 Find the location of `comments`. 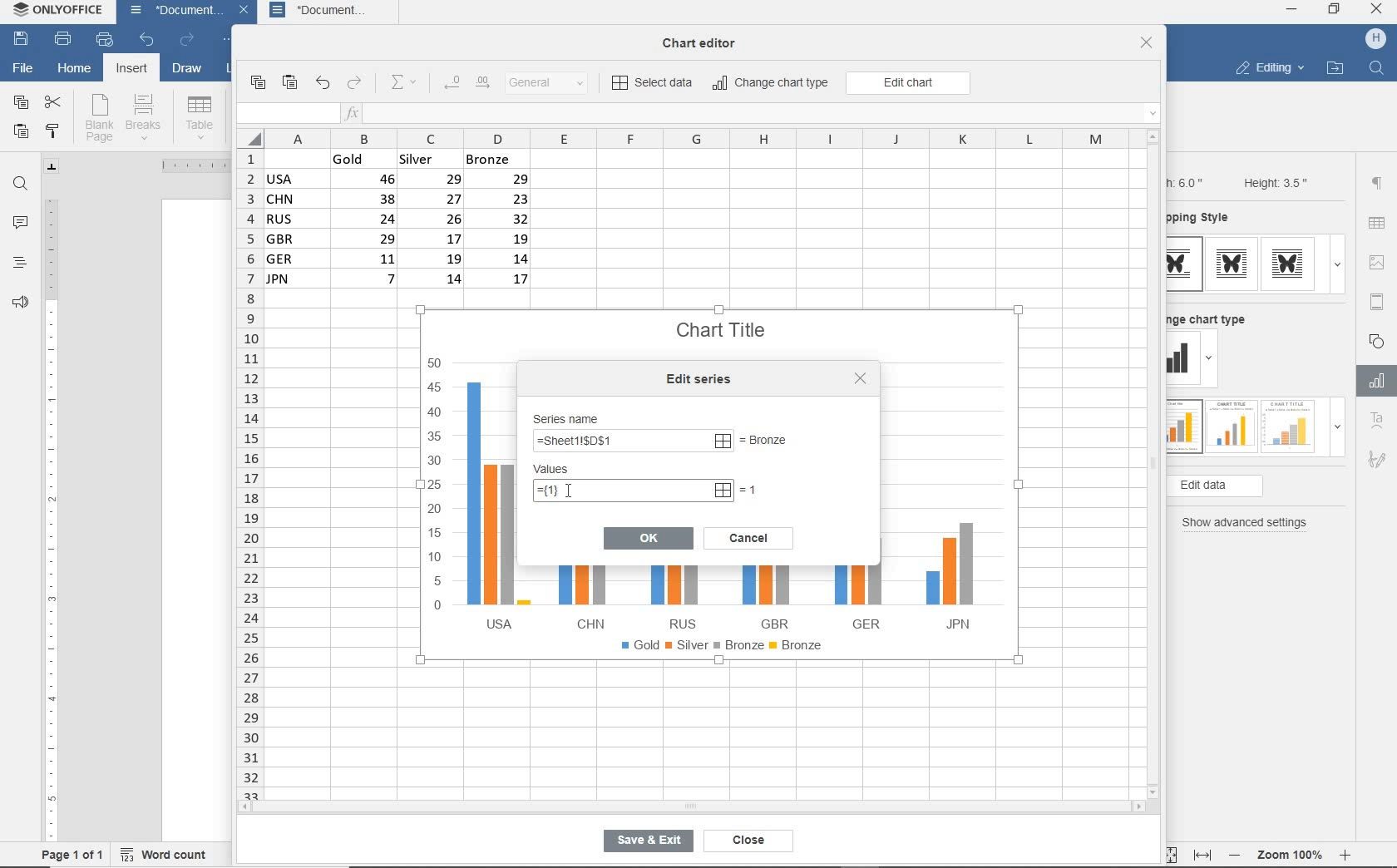

comments is located at coordinates (21, 224).